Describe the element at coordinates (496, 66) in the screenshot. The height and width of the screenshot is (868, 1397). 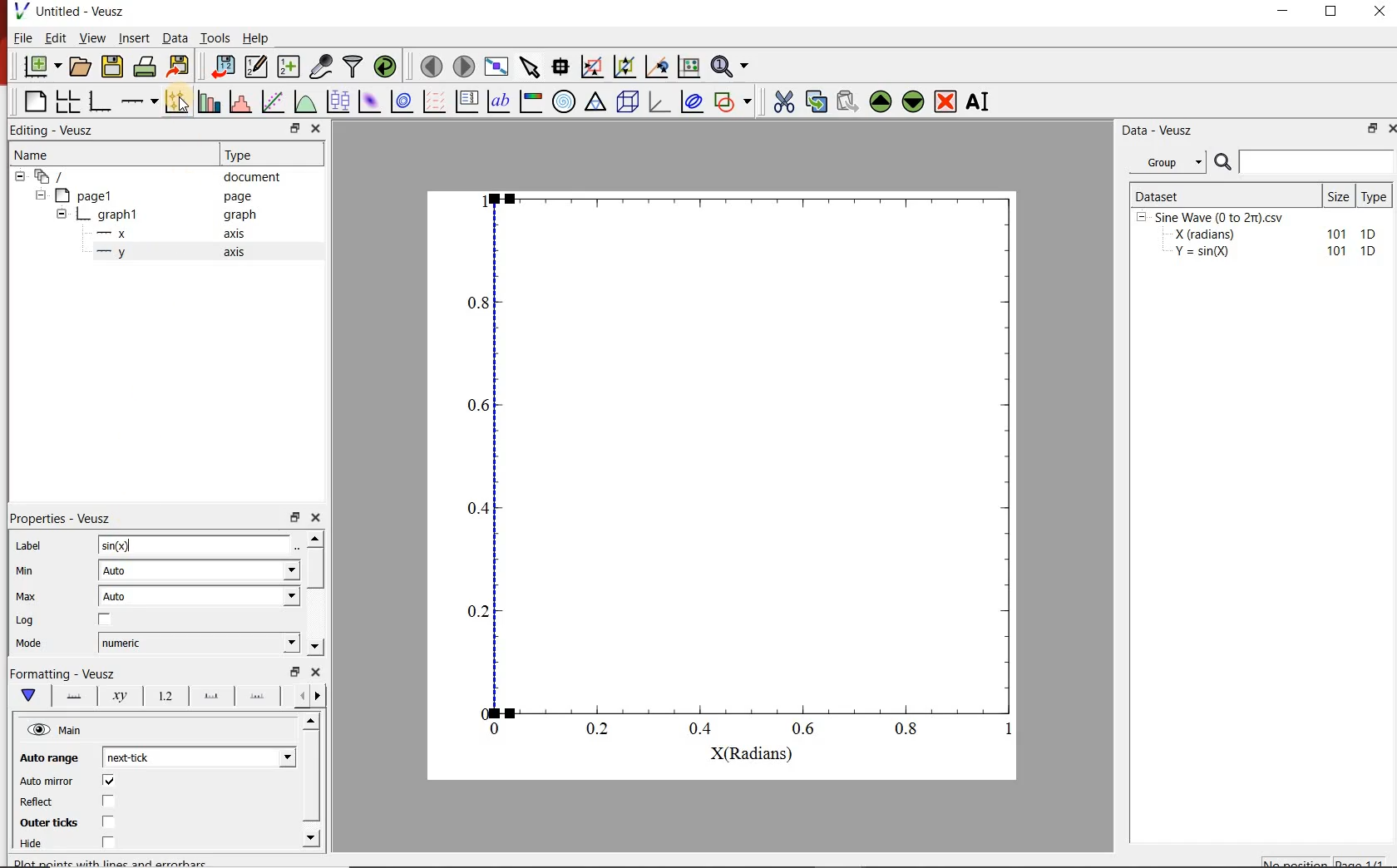
I see `view plot full screen` at that location.